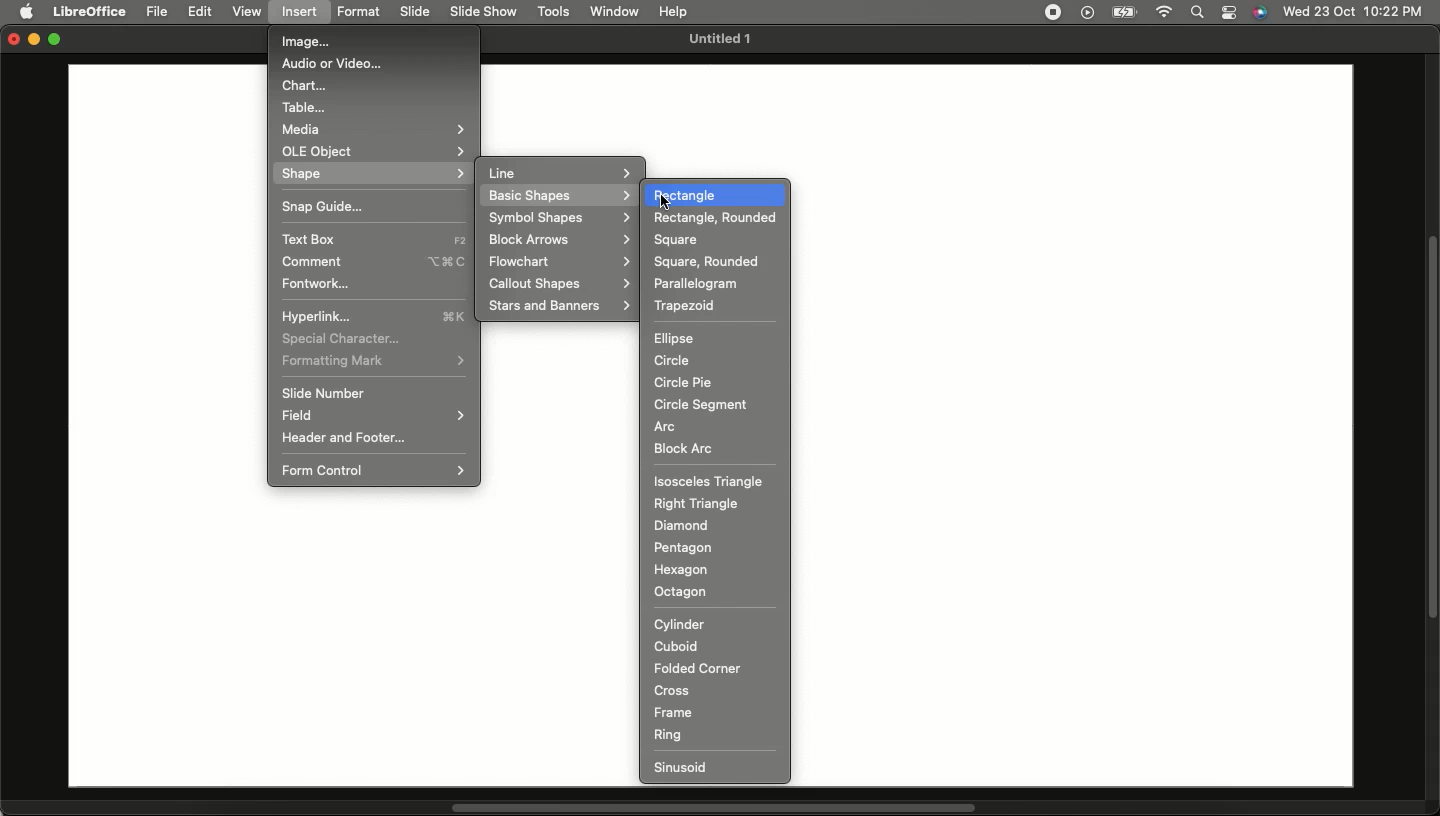 This screenshot has width=1440, height=816. I want to click on Frame, so click(675, 713).